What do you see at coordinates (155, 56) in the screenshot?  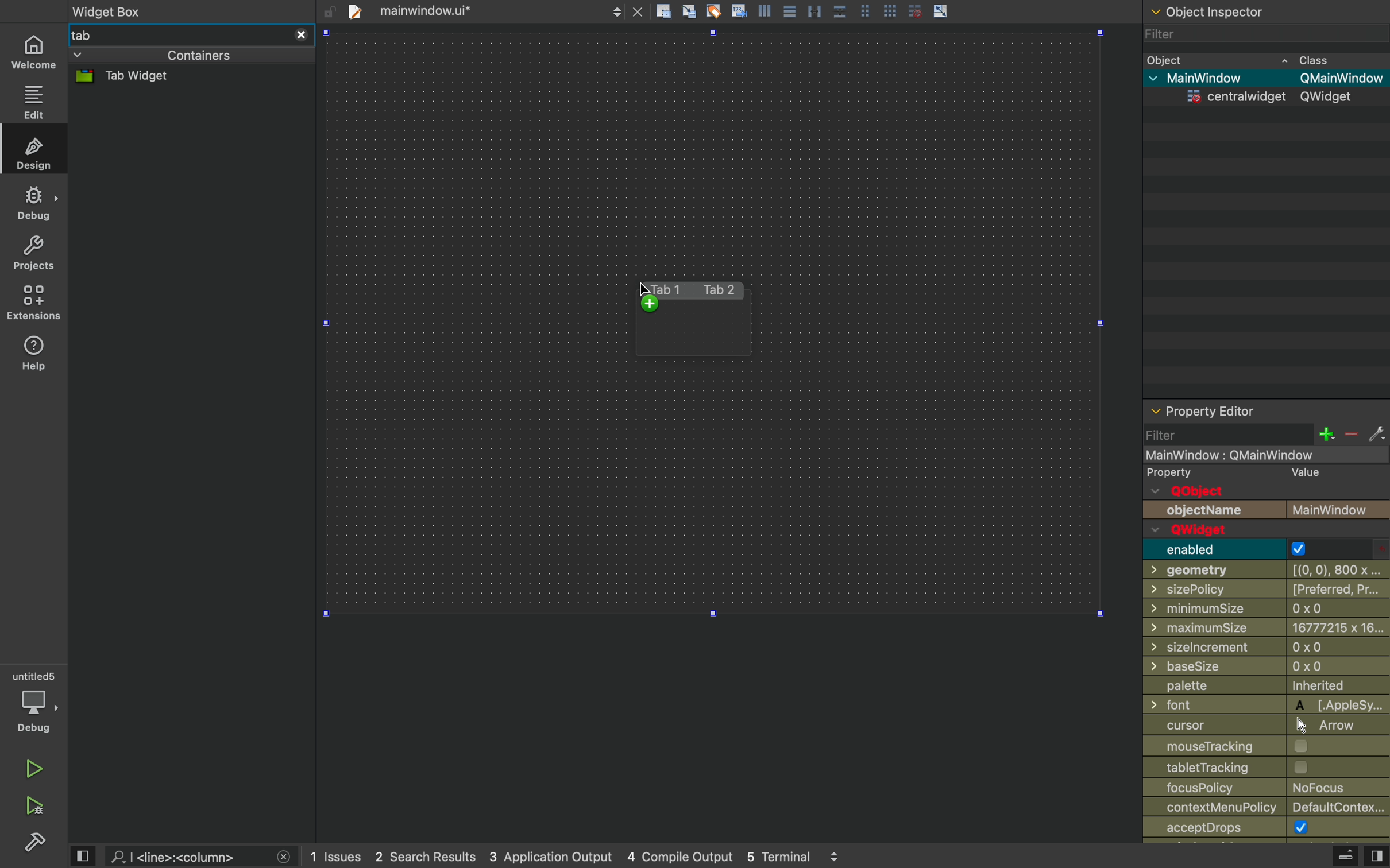 I see `containers` at bounding box center [155, 56].